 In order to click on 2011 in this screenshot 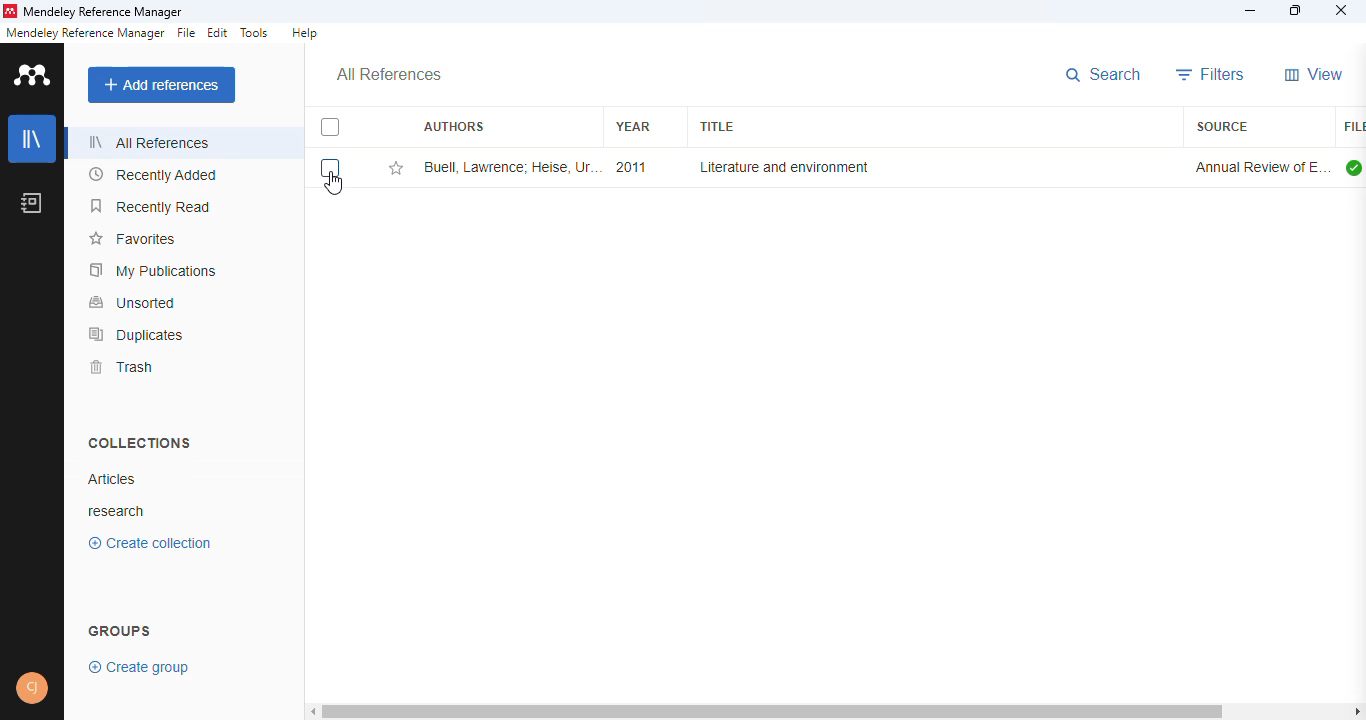, I will do `click(630, 167)`.